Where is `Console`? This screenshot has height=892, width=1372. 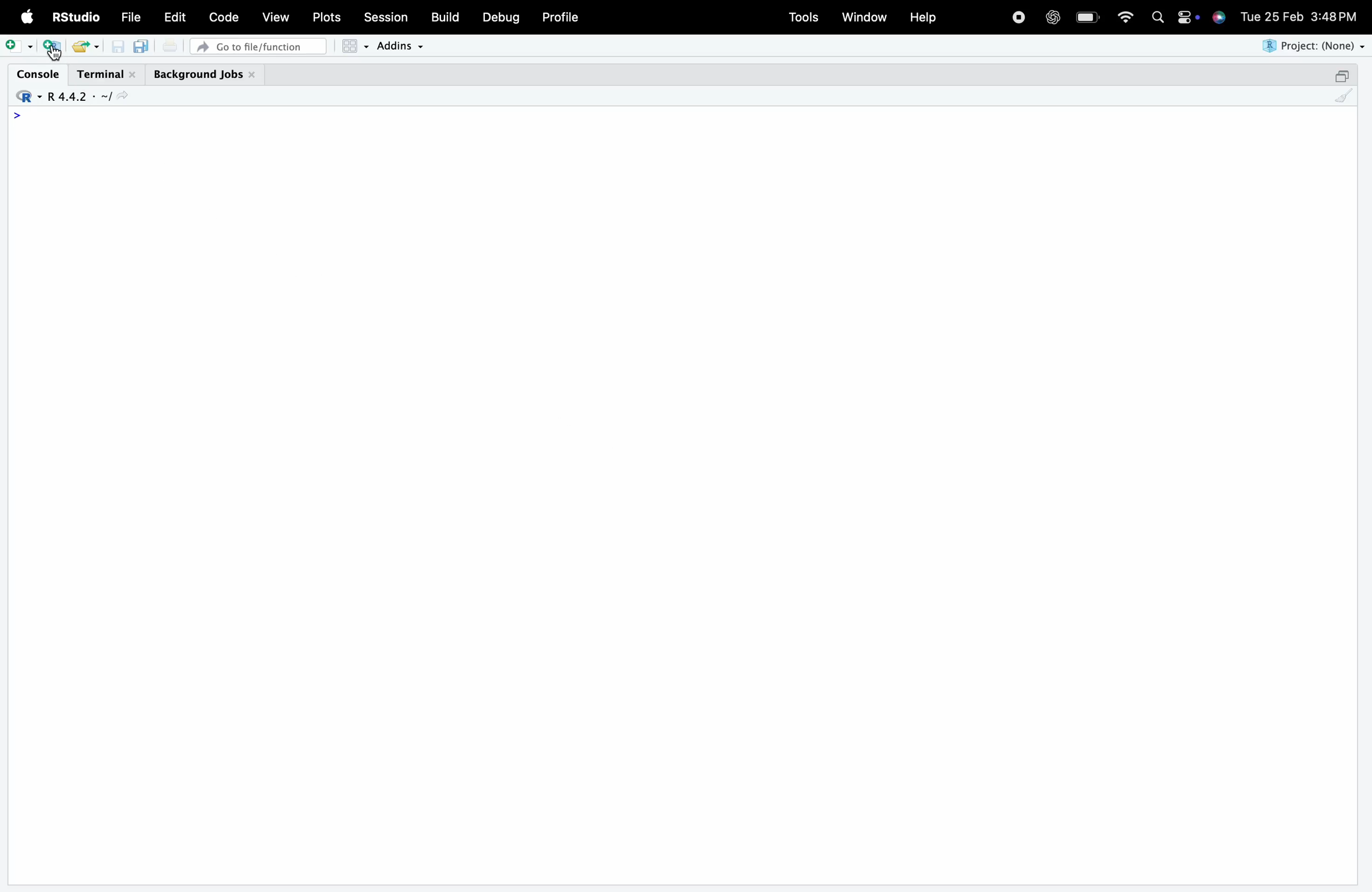 Console is located at coordinates (37, 74).